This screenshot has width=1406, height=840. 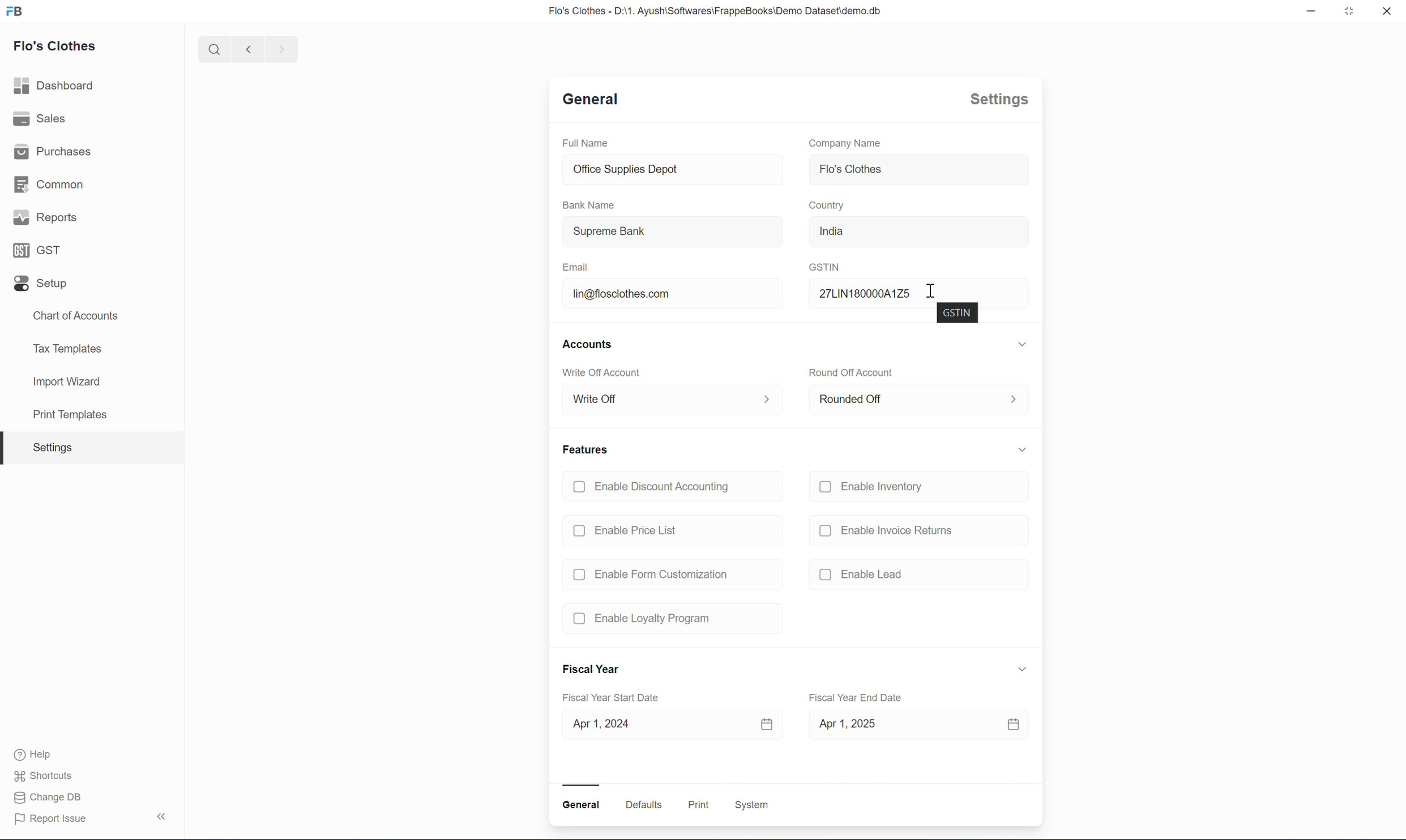 I want to click on Apr 1, 2025, so click(x=890, y=724).